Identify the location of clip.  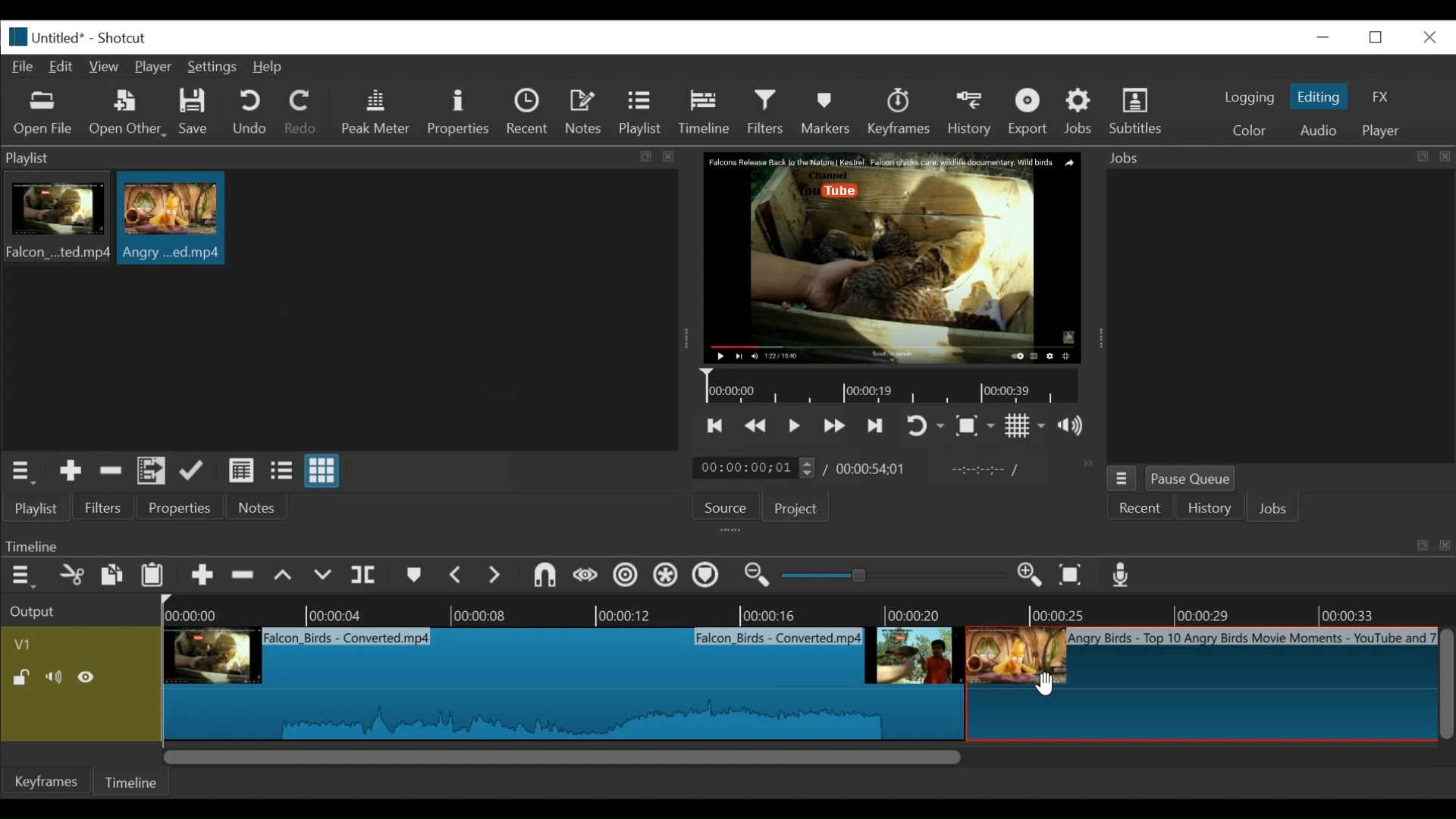
(171, 218).